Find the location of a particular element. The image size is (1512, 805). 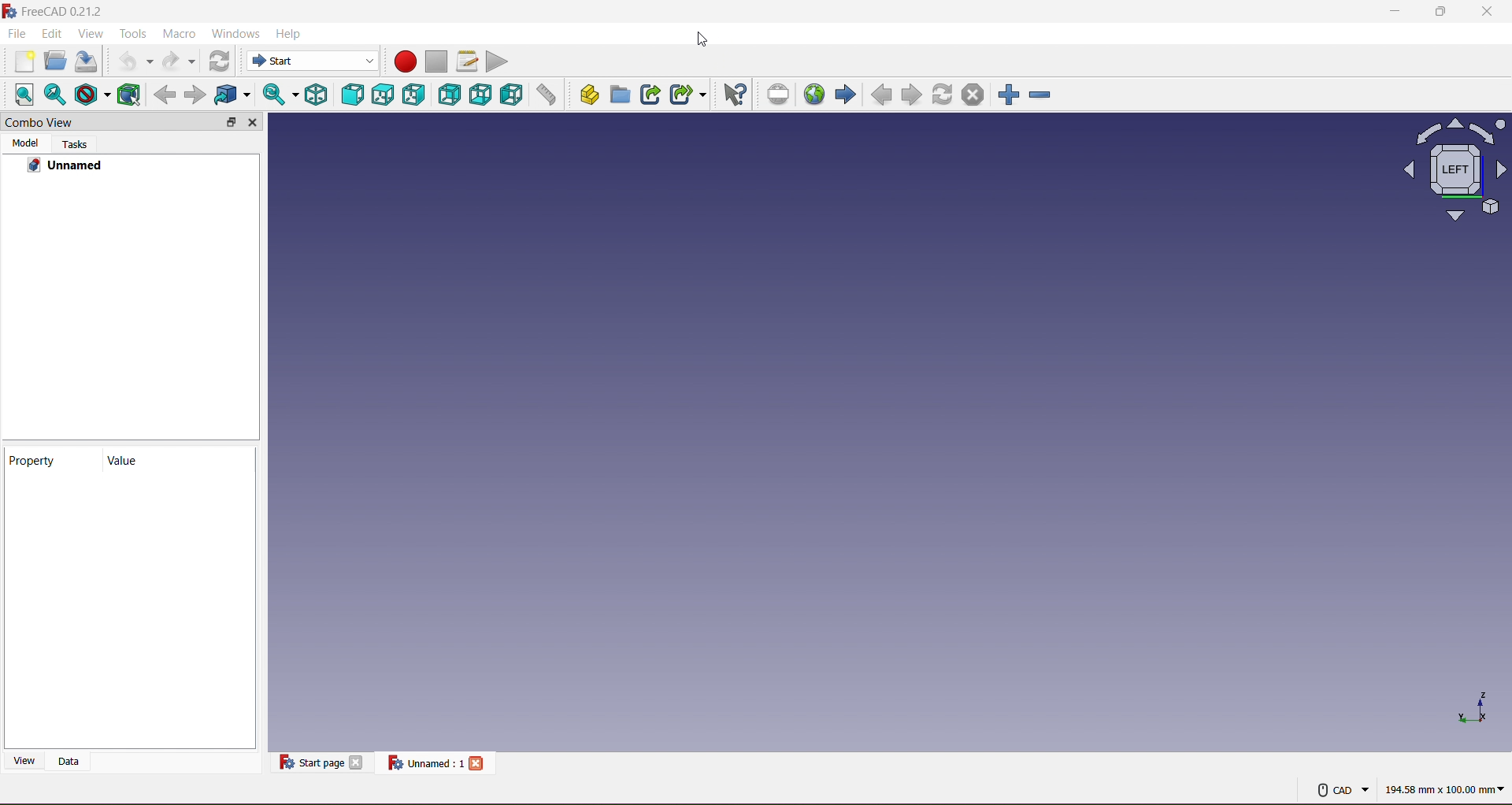

Bottom is located at coordinates (481, 95).